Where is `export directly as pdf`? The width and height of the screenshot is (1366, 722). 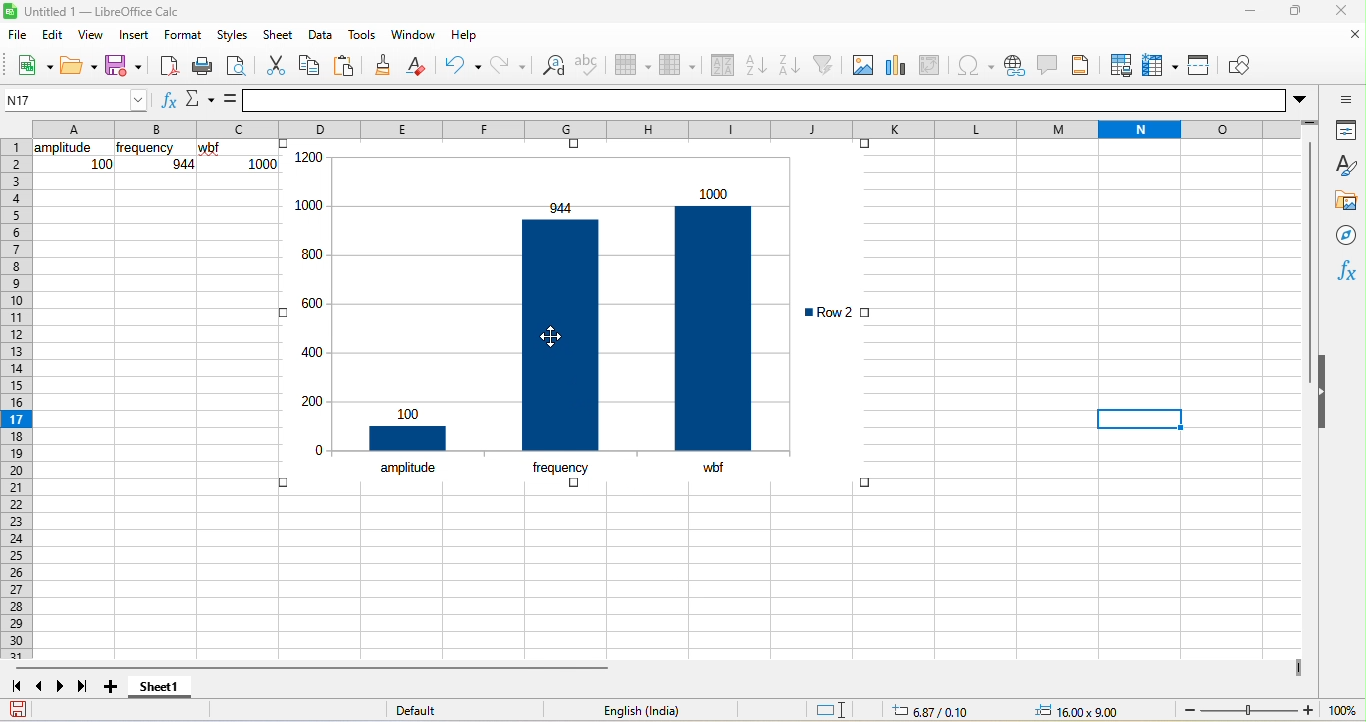 export directly as pdf is located at coordinates (173, 68).